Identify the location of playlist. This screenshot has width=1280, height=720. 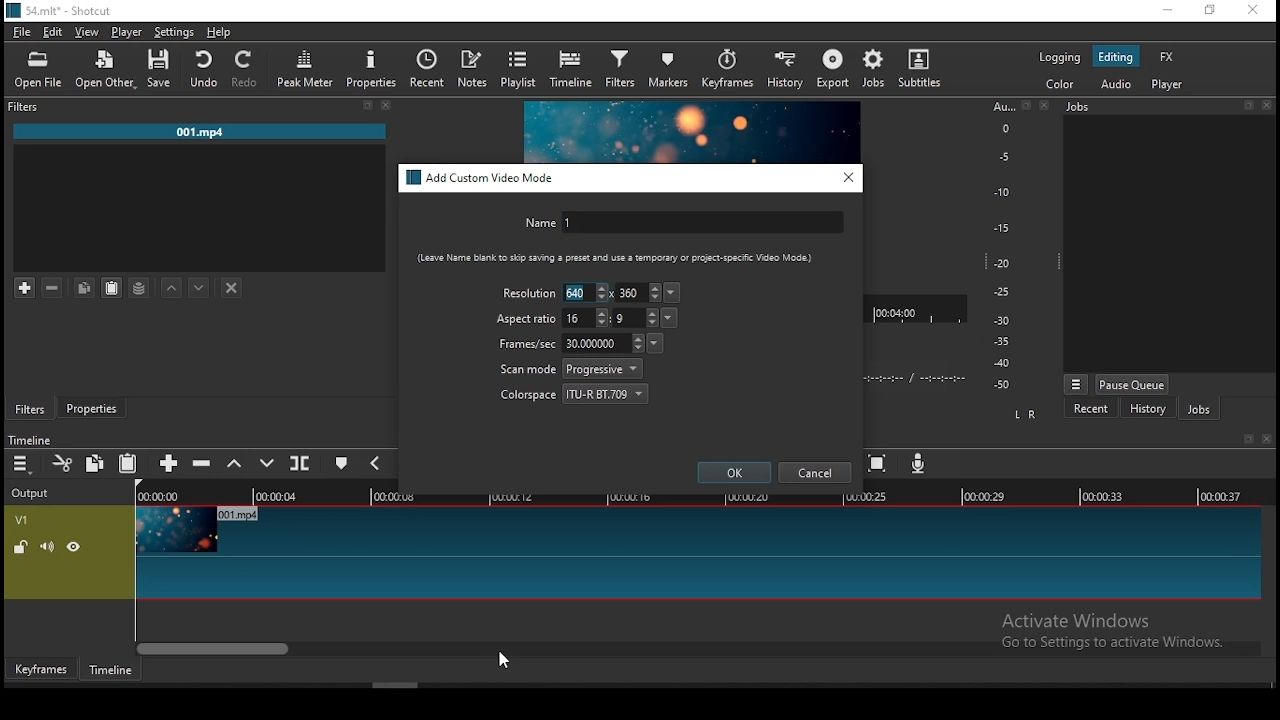
(520, 68).